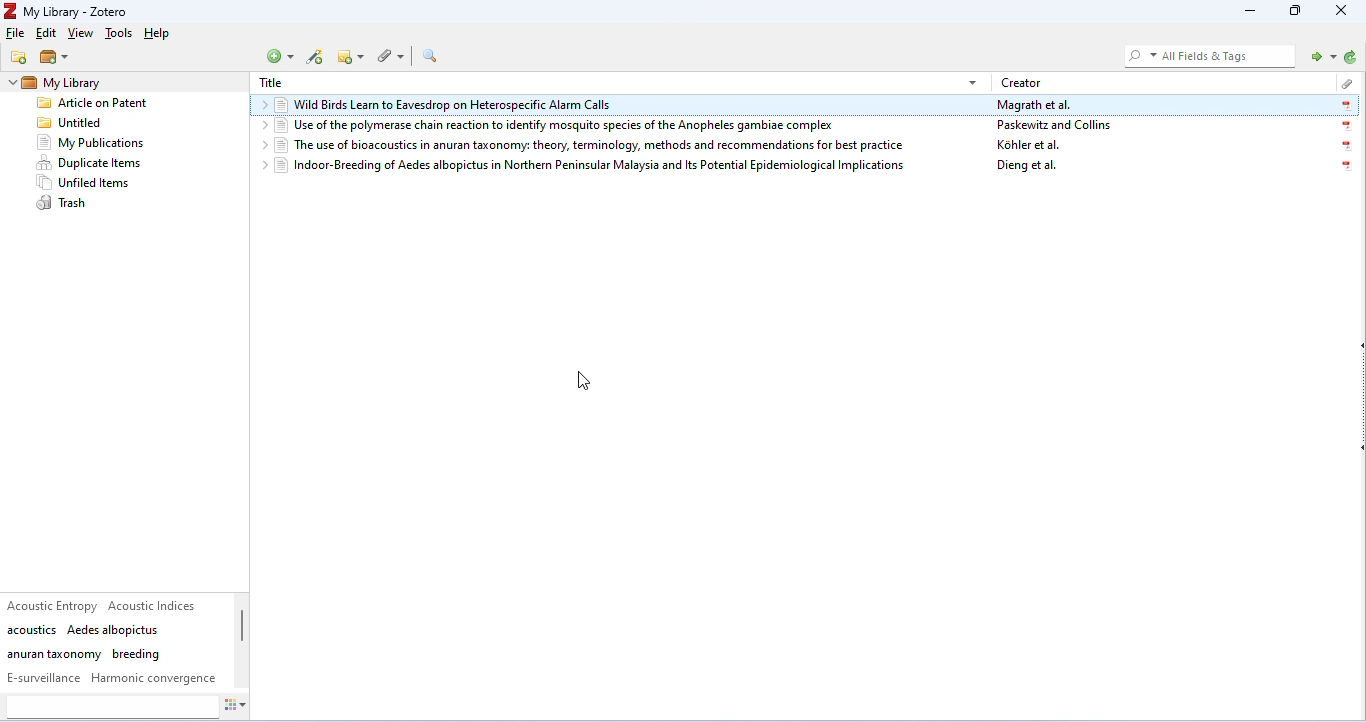 This screenshot has height=722, width=1366. I want to click on drop down, so click(263, 105).